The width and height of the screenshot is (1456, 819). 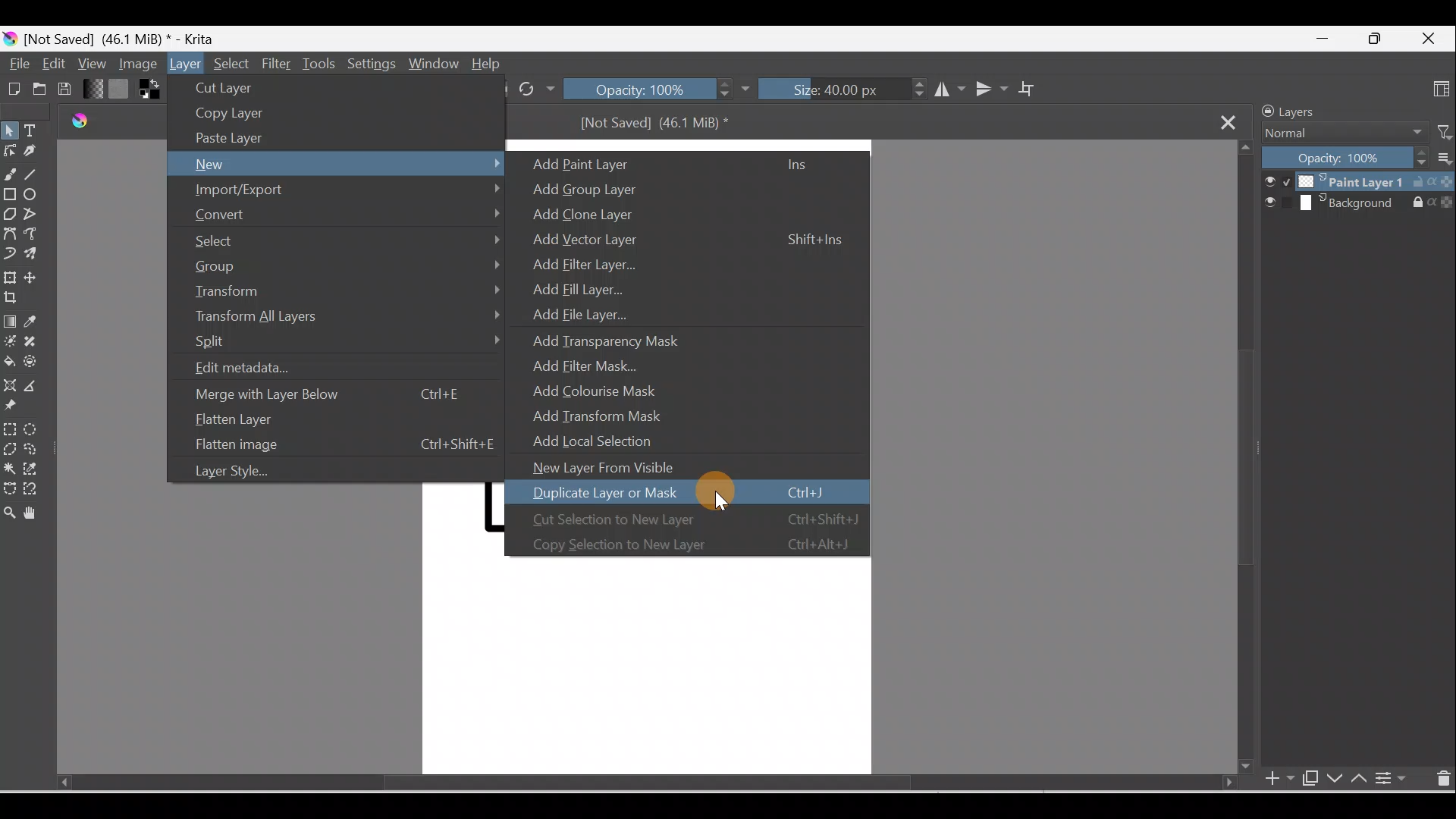 I want to click on Calligraphy, so click(x=33, y=153).